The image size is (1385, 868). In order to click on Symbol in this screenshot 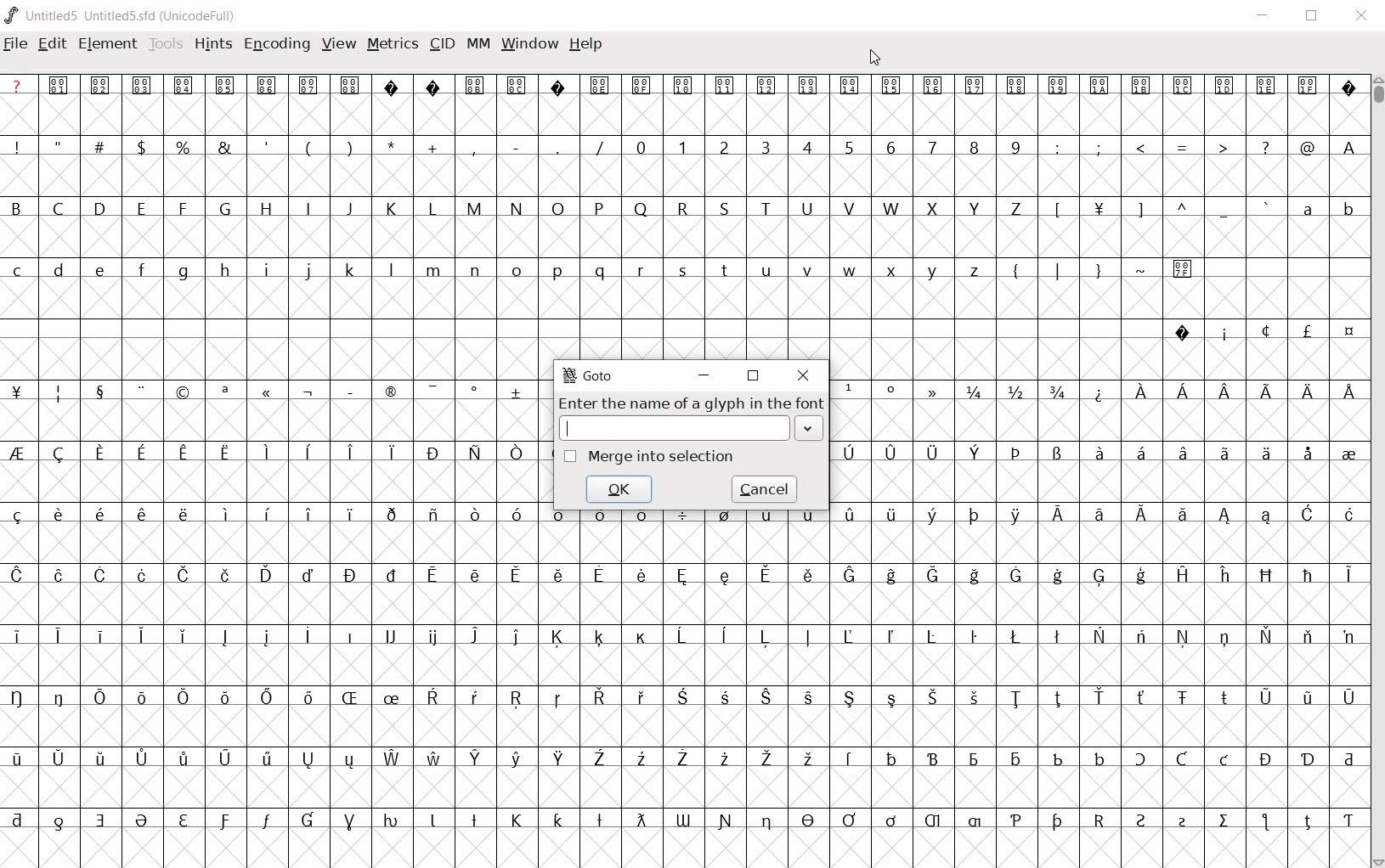, I will do `click(225, 759)`.